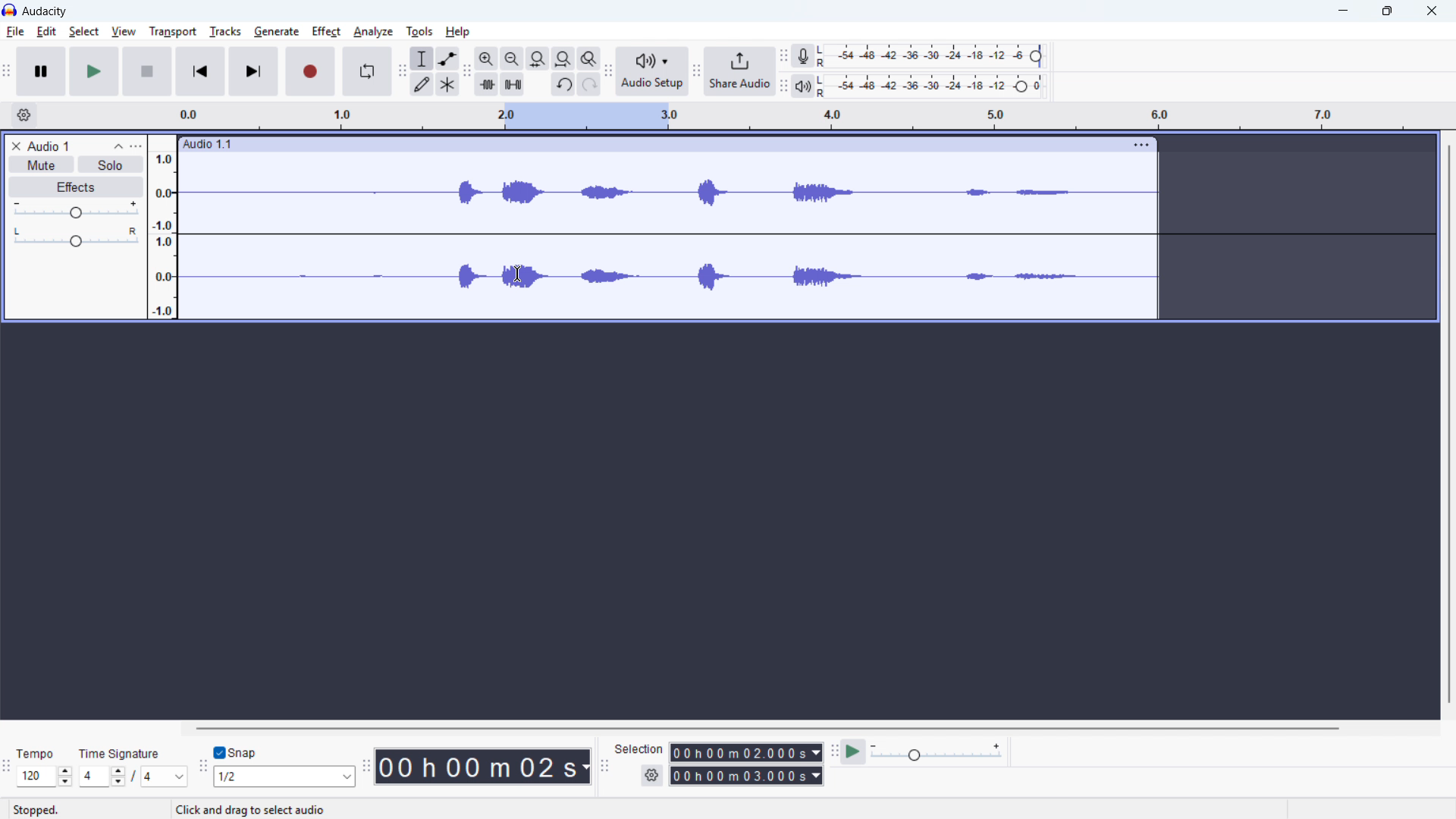  I want to click on Edit, so click(45, 32).